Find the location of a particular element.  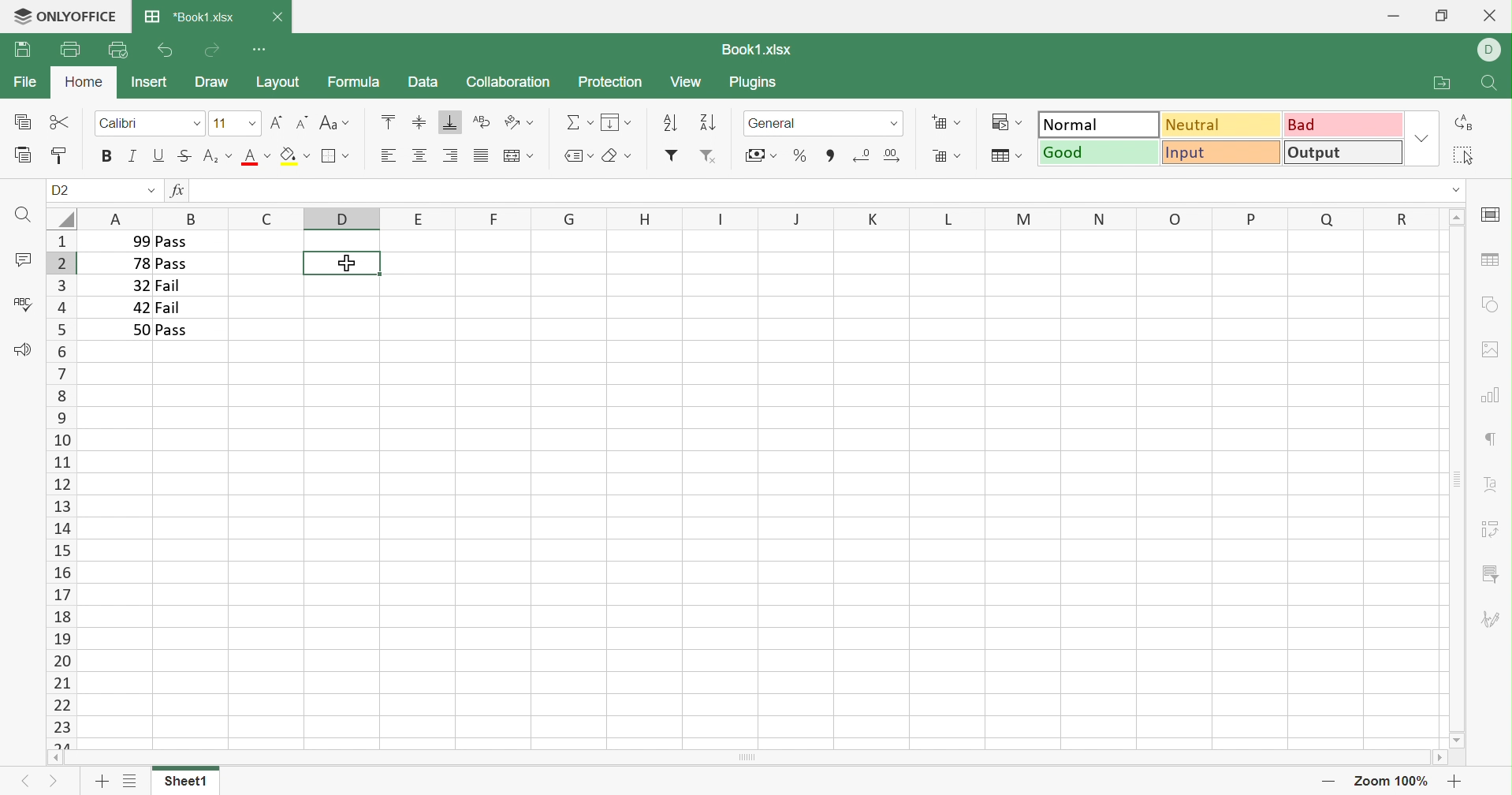

Cut is located at coordinates (61, 123).